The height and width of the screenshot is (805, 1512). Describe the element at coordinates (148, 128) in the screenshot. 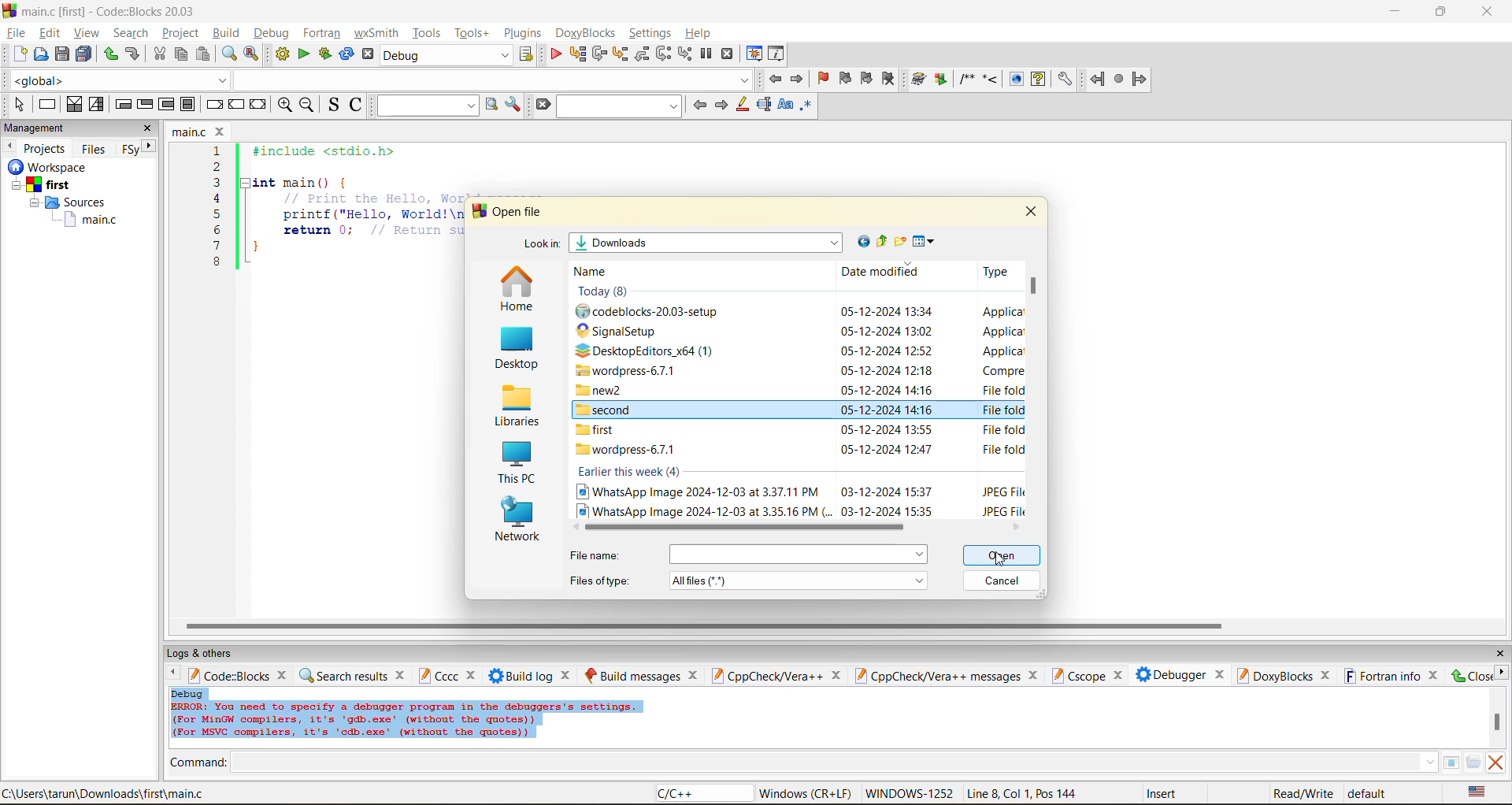

I see `close` at that location.